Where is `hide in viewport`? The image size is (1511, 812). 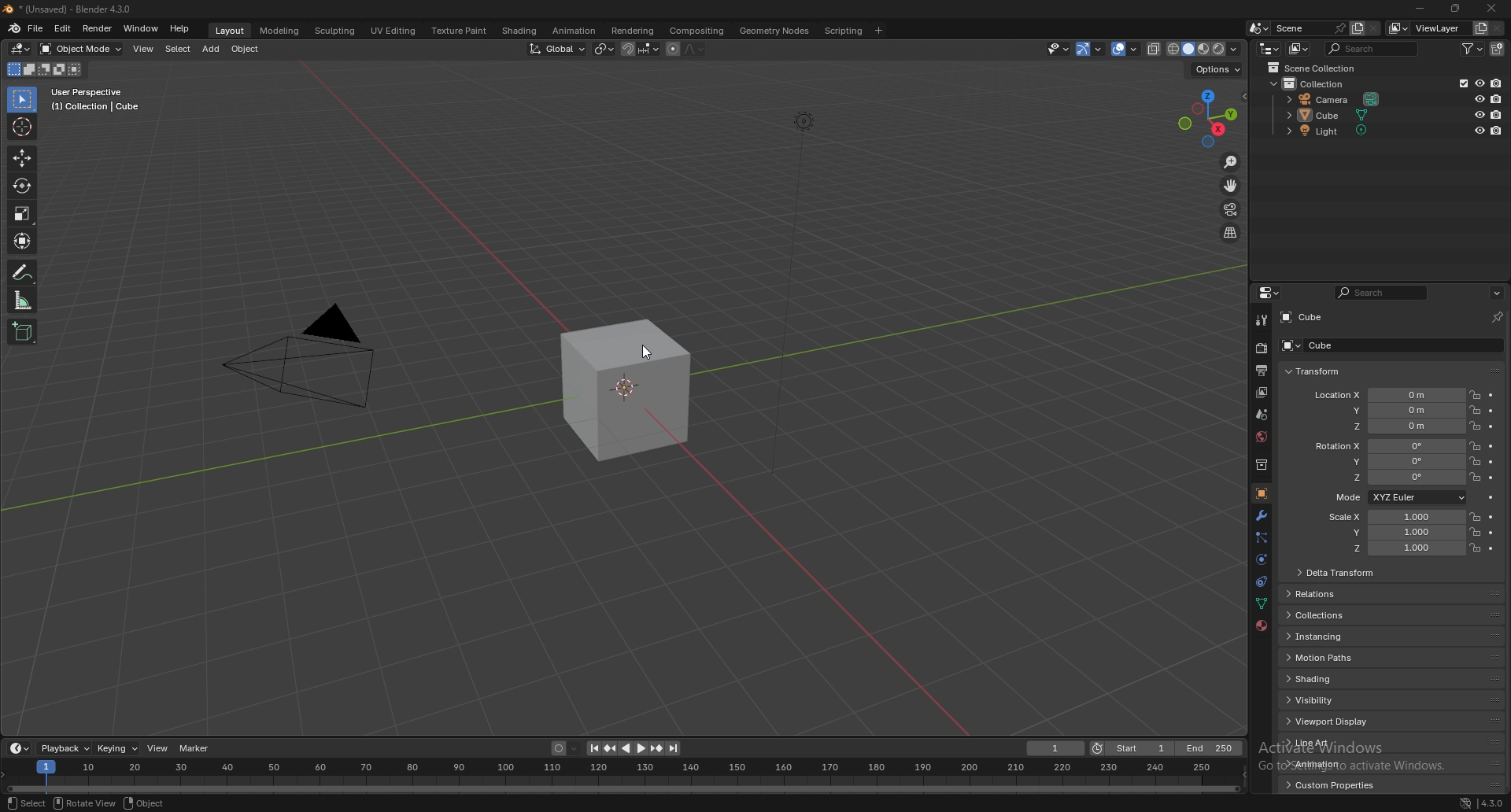
hide in viewport is located at coordinates (1479, 96).